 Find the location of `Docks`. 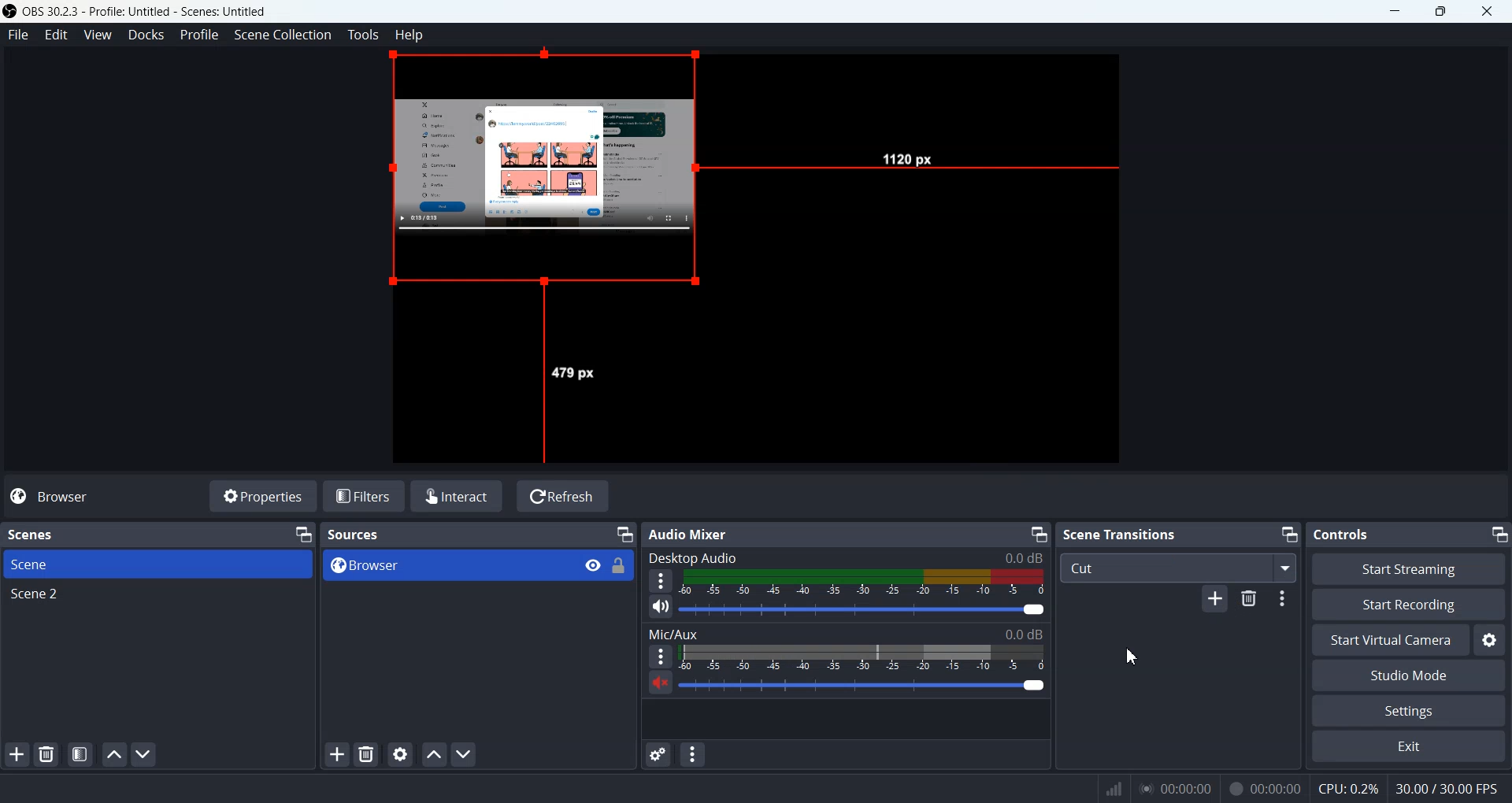

Docks is located at coordinates (146, 35).